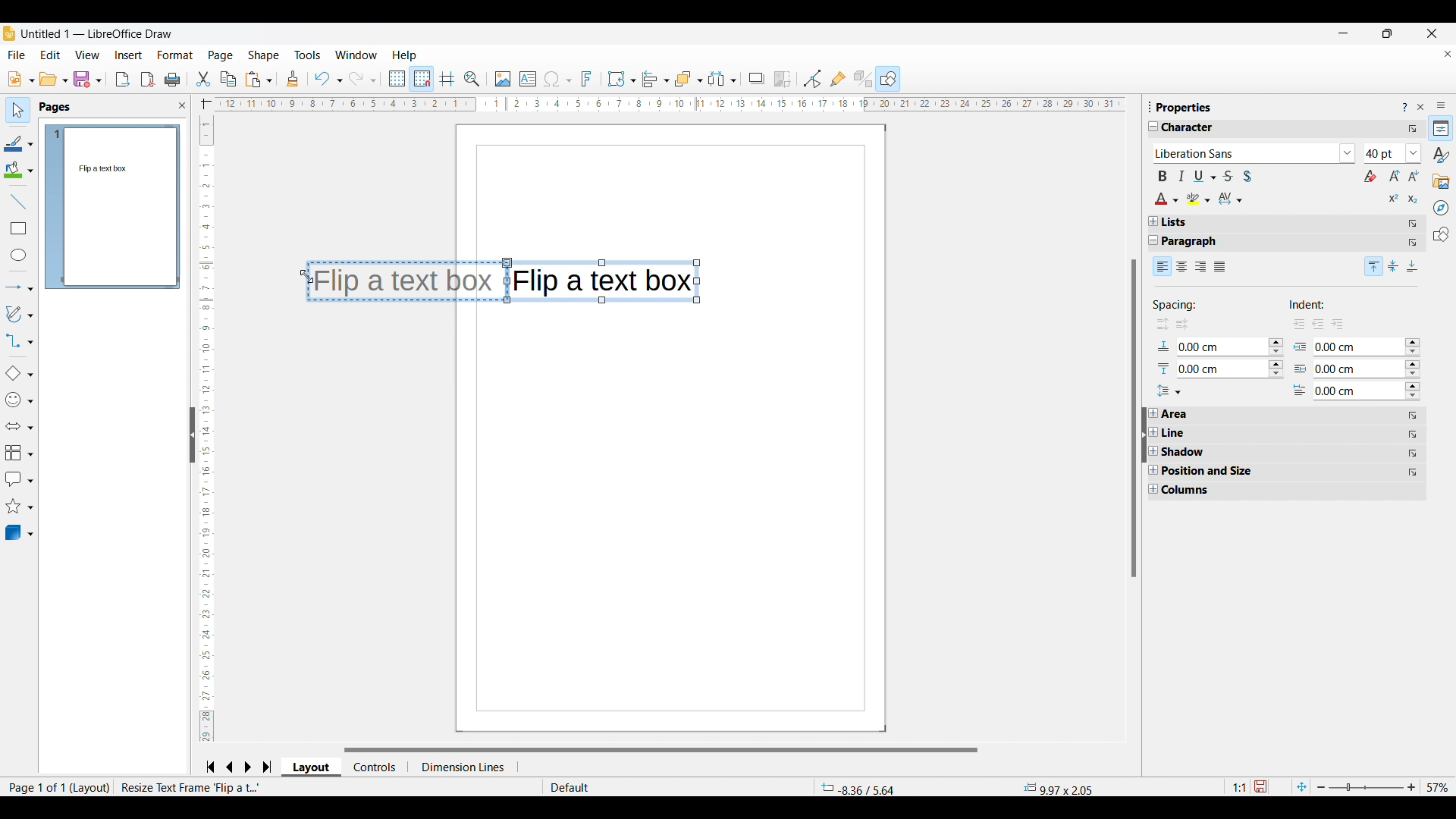  Describe the element at coordinates (1163, 176) in the screenshot. I see `Bold` at that location.